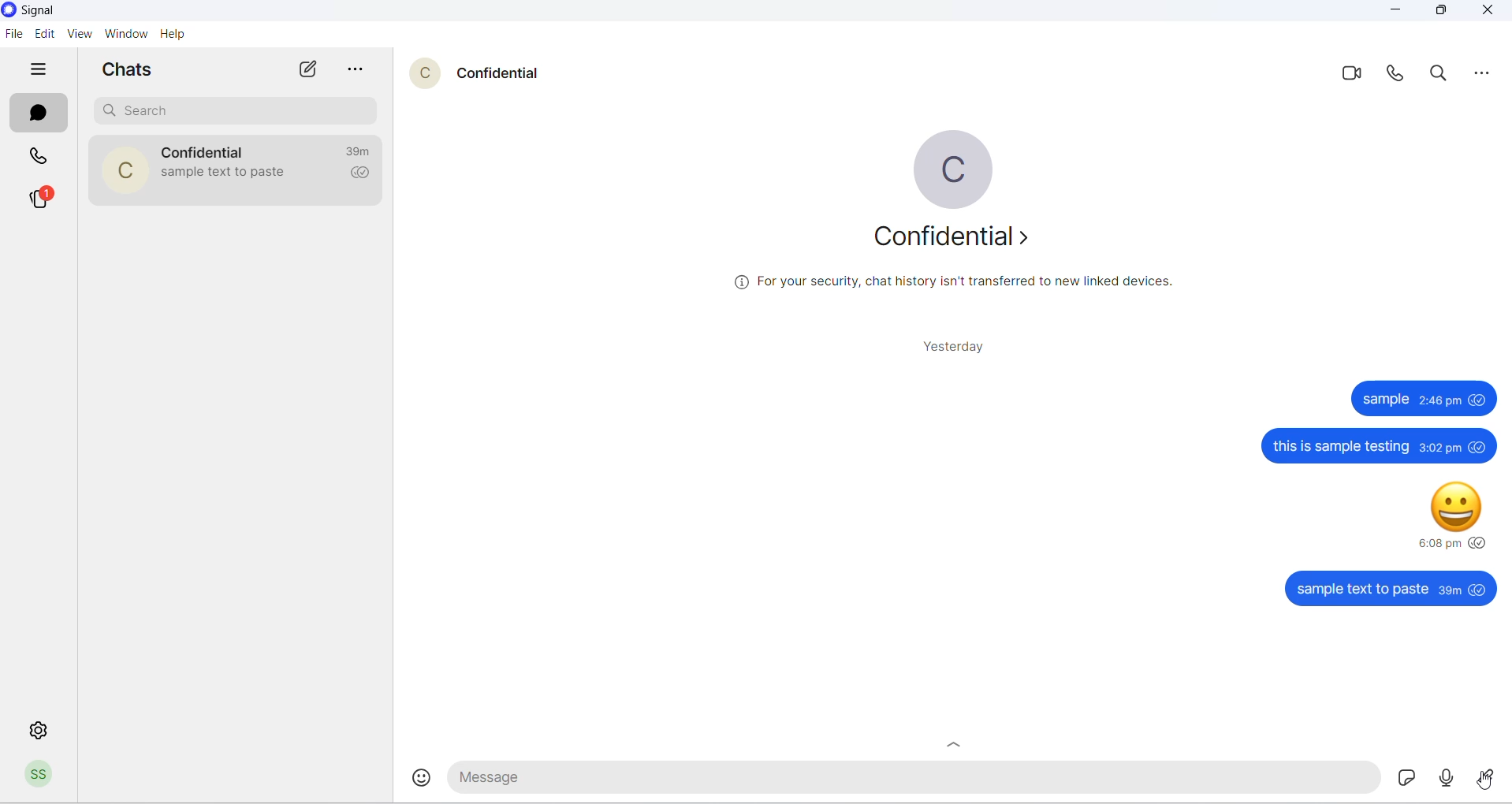  I want to click on voice note, so click(1443, 777).